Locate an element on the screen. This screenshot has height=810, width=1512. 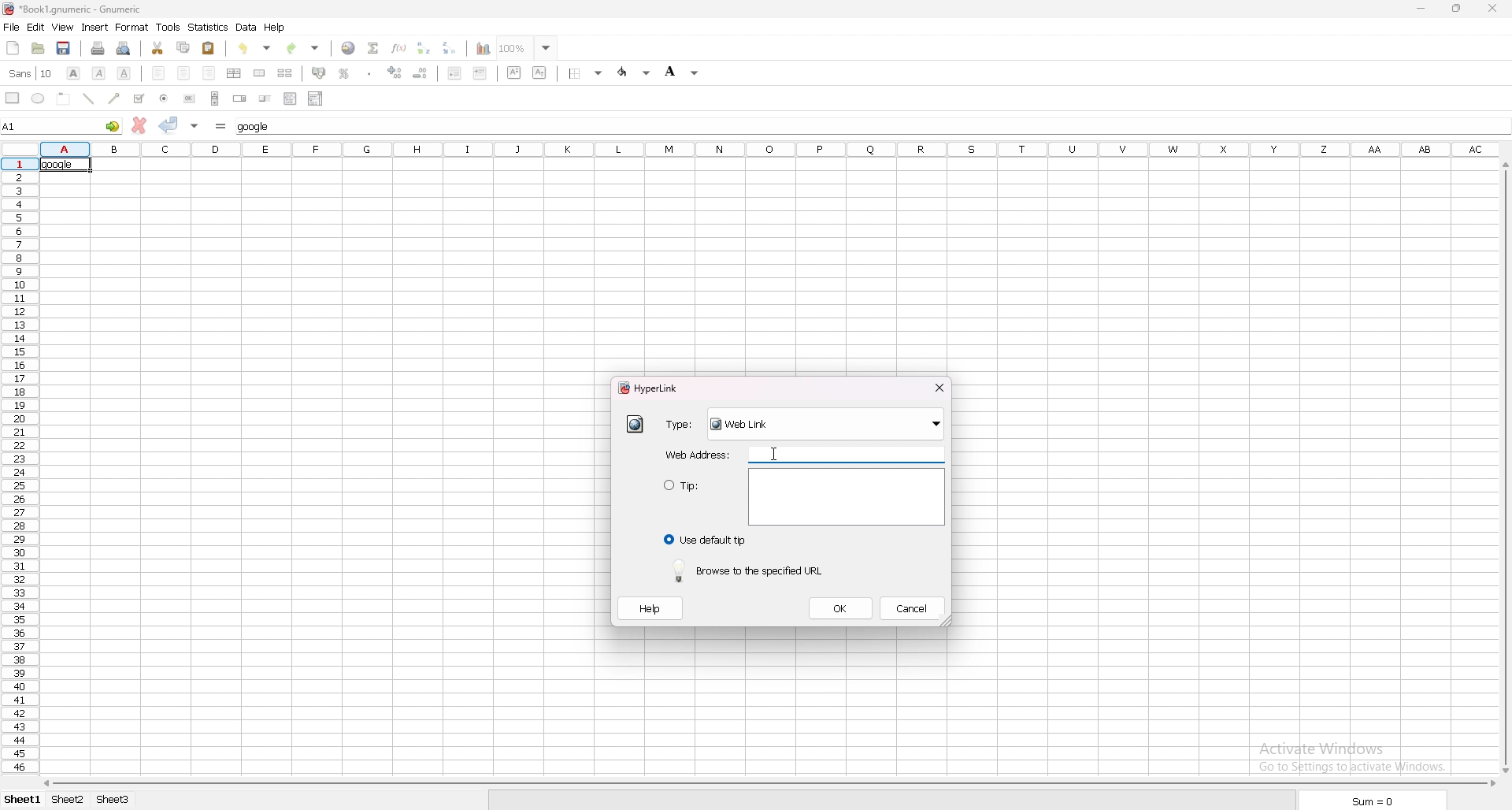
hyperlink is located at coordinates (348, 48).